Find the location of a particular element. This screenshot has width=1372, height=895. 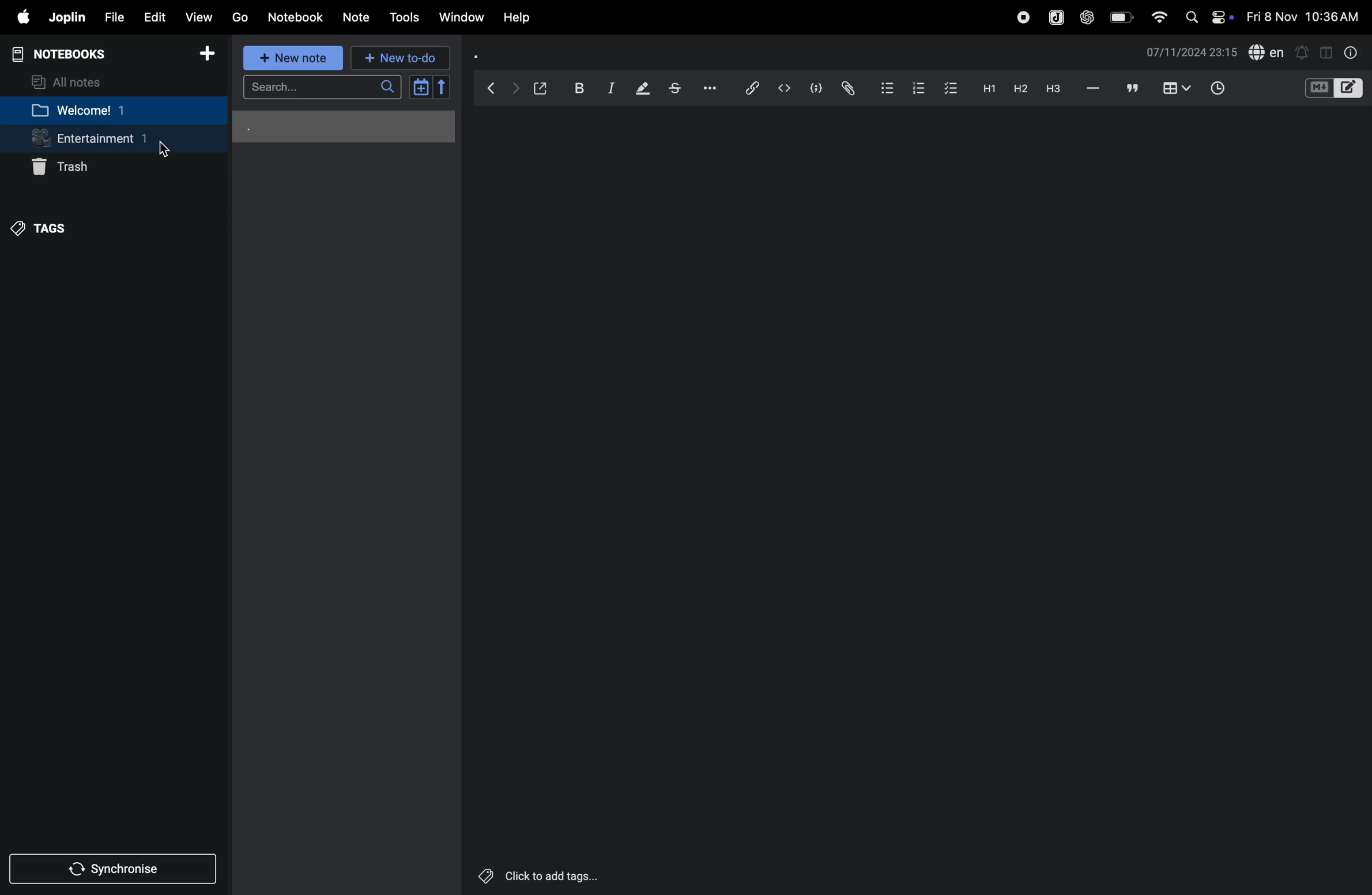

insert link is located at coordinates (753, 88).